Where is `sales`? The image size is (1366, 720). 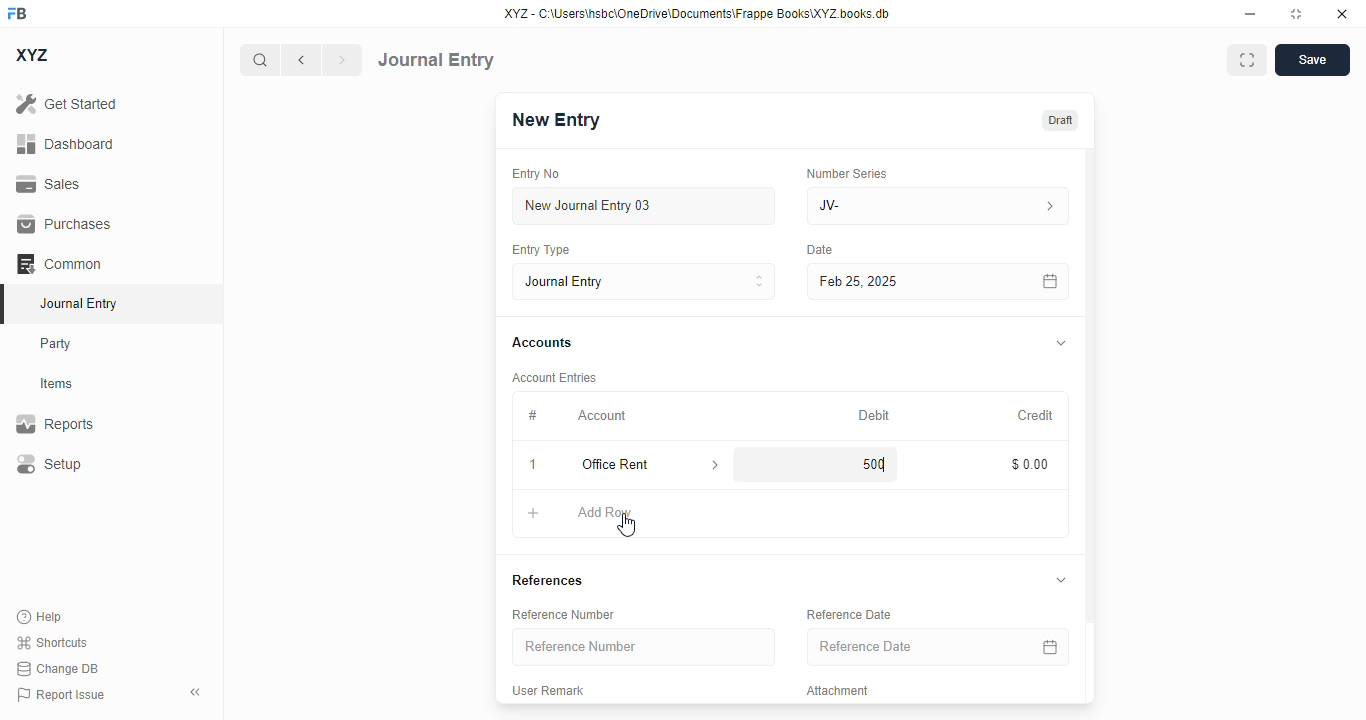 sales is located at coordinates (51, 185).